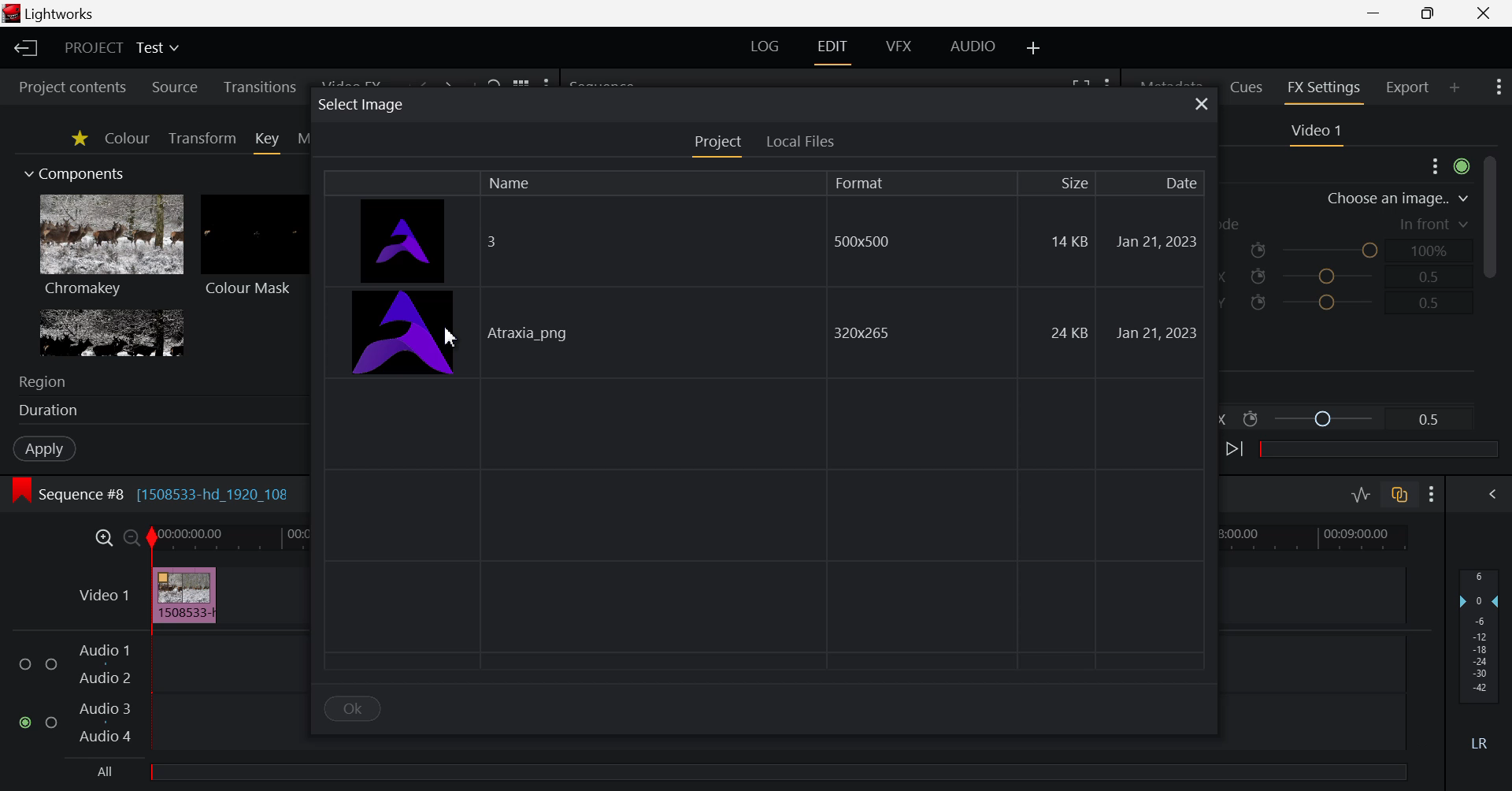  I want to click on 0.5, so click(1432, 421).